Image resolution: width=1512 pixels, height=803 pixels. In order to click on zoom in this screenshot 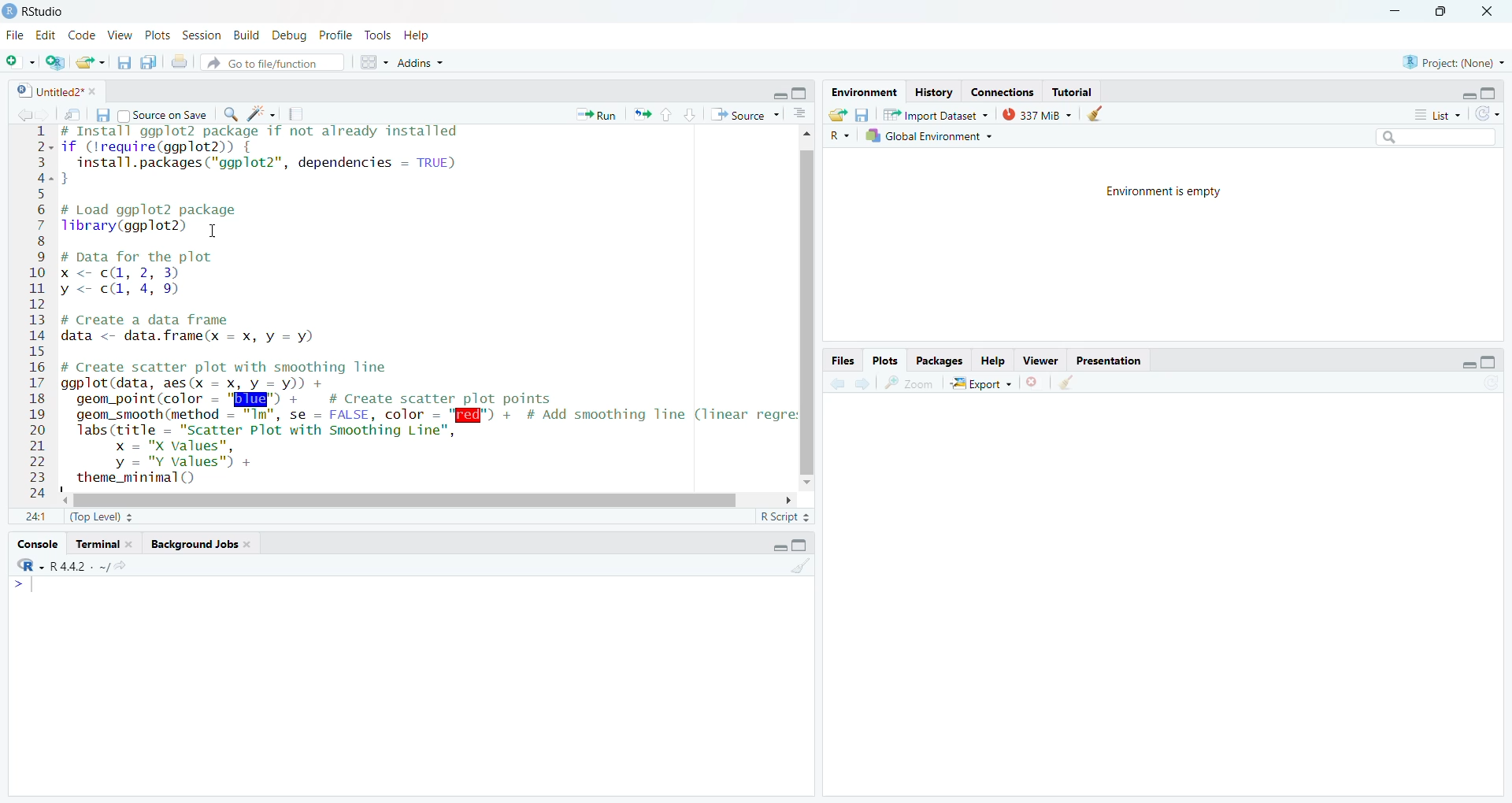, I will do `click(910, 383)`.